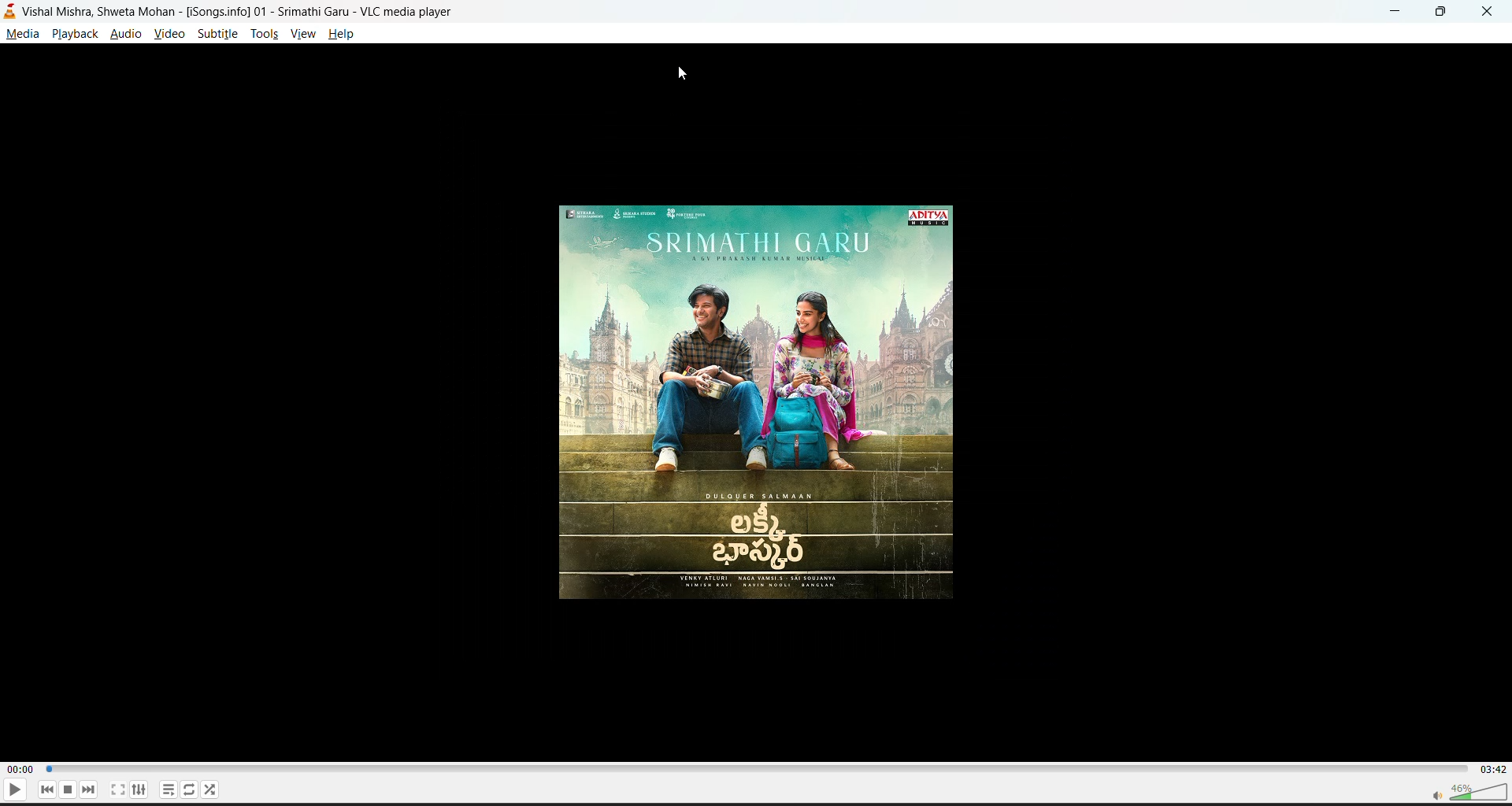  What do you see at coordinates (209, 787) in the screenshot?
I see `random` at bounding box center [209, 787].